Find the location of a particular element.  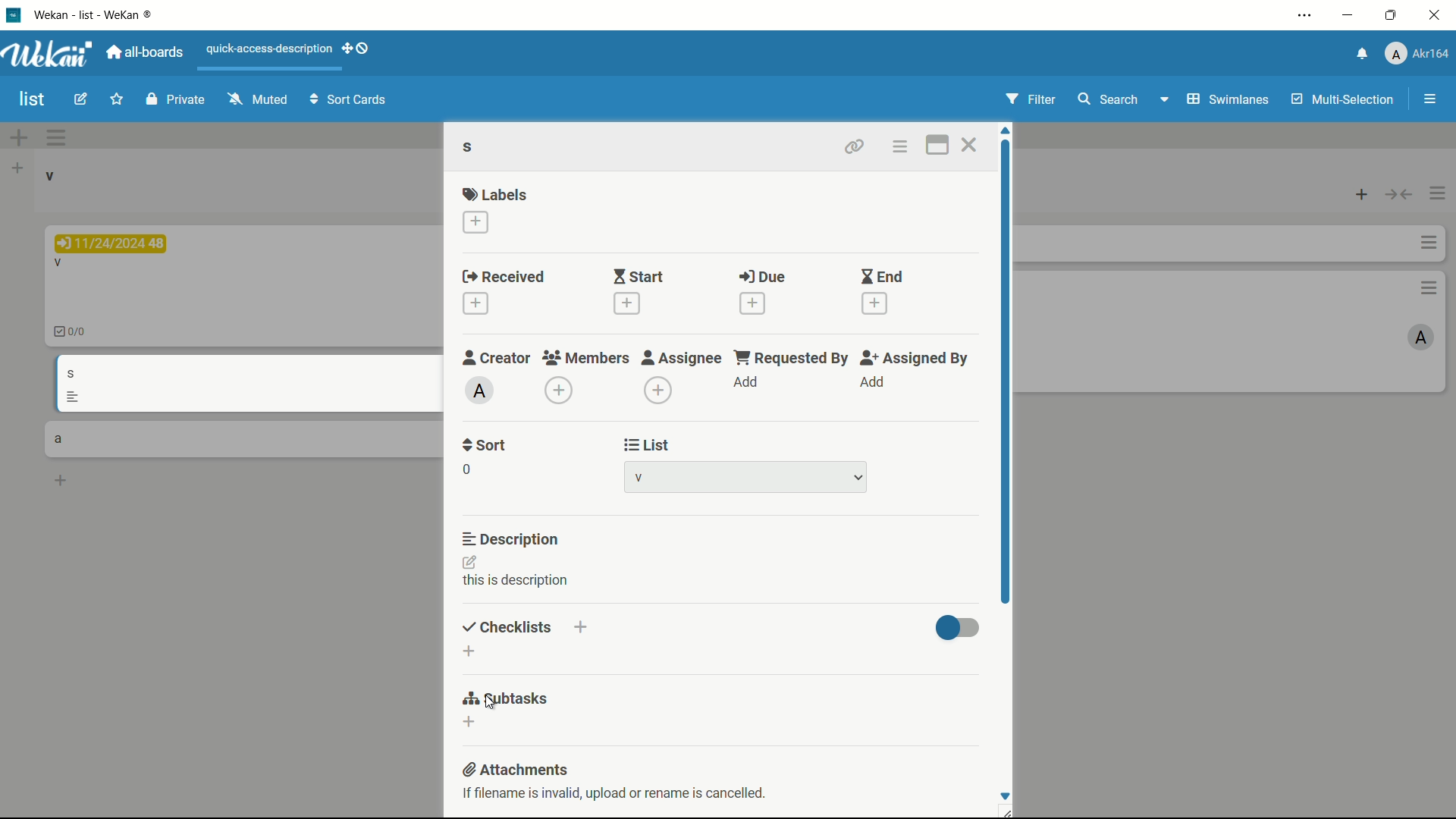

admin is located at coordinates (479, 391).